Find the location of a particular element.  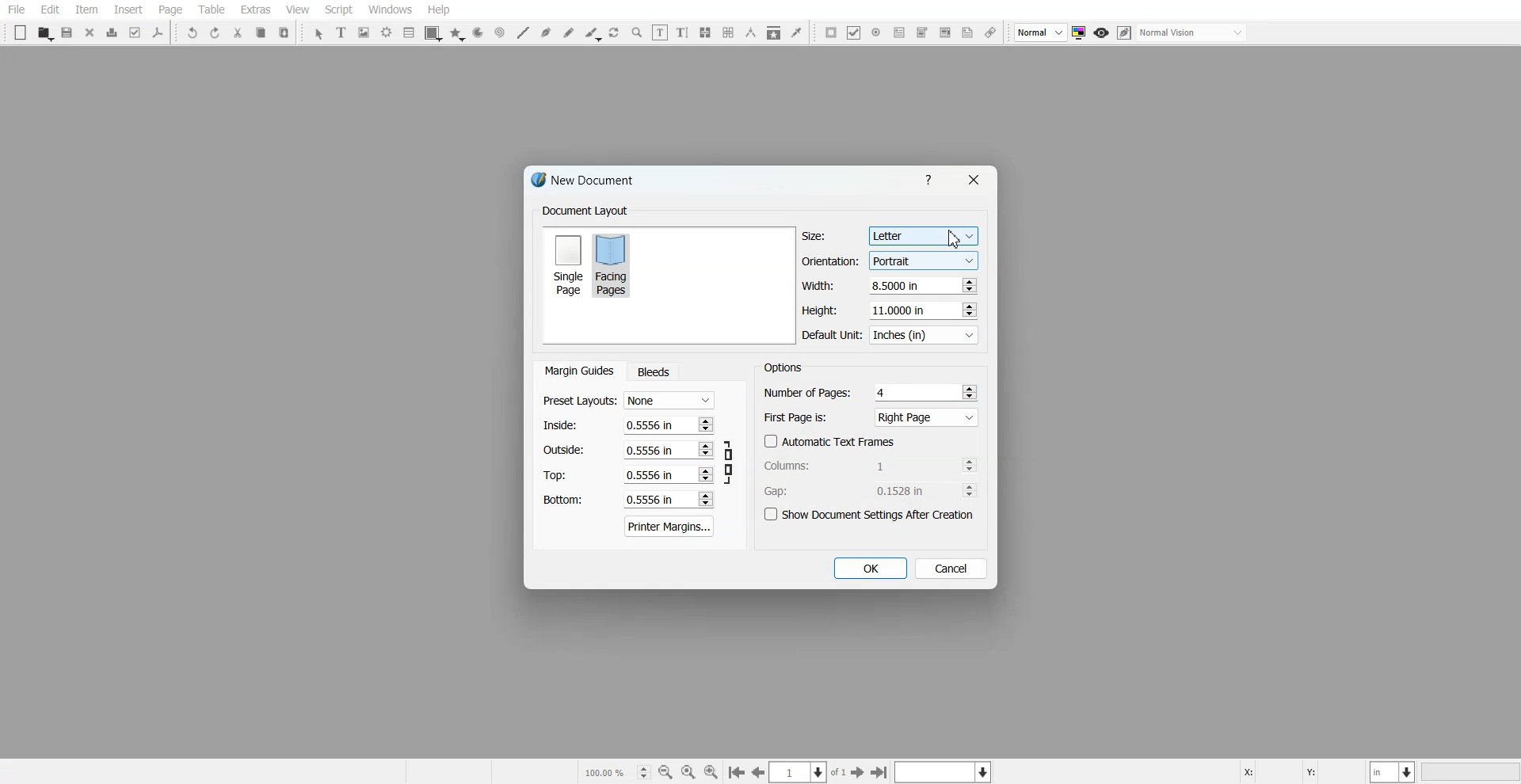

Single Page is located at coordinates (567, 264).